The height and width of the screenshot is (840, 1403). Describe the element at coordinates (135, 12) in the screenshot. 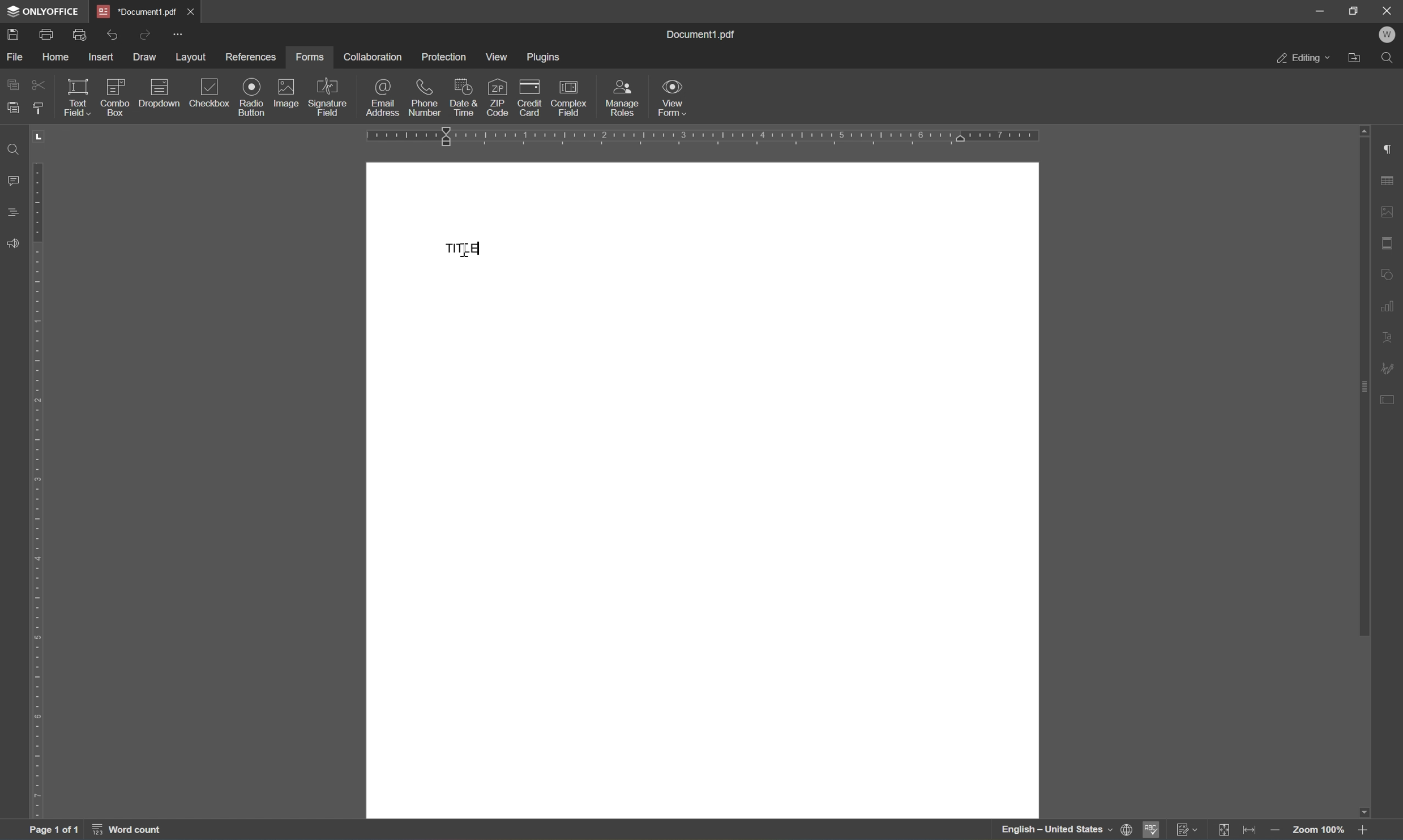

I see `document1.pdf` at that location.